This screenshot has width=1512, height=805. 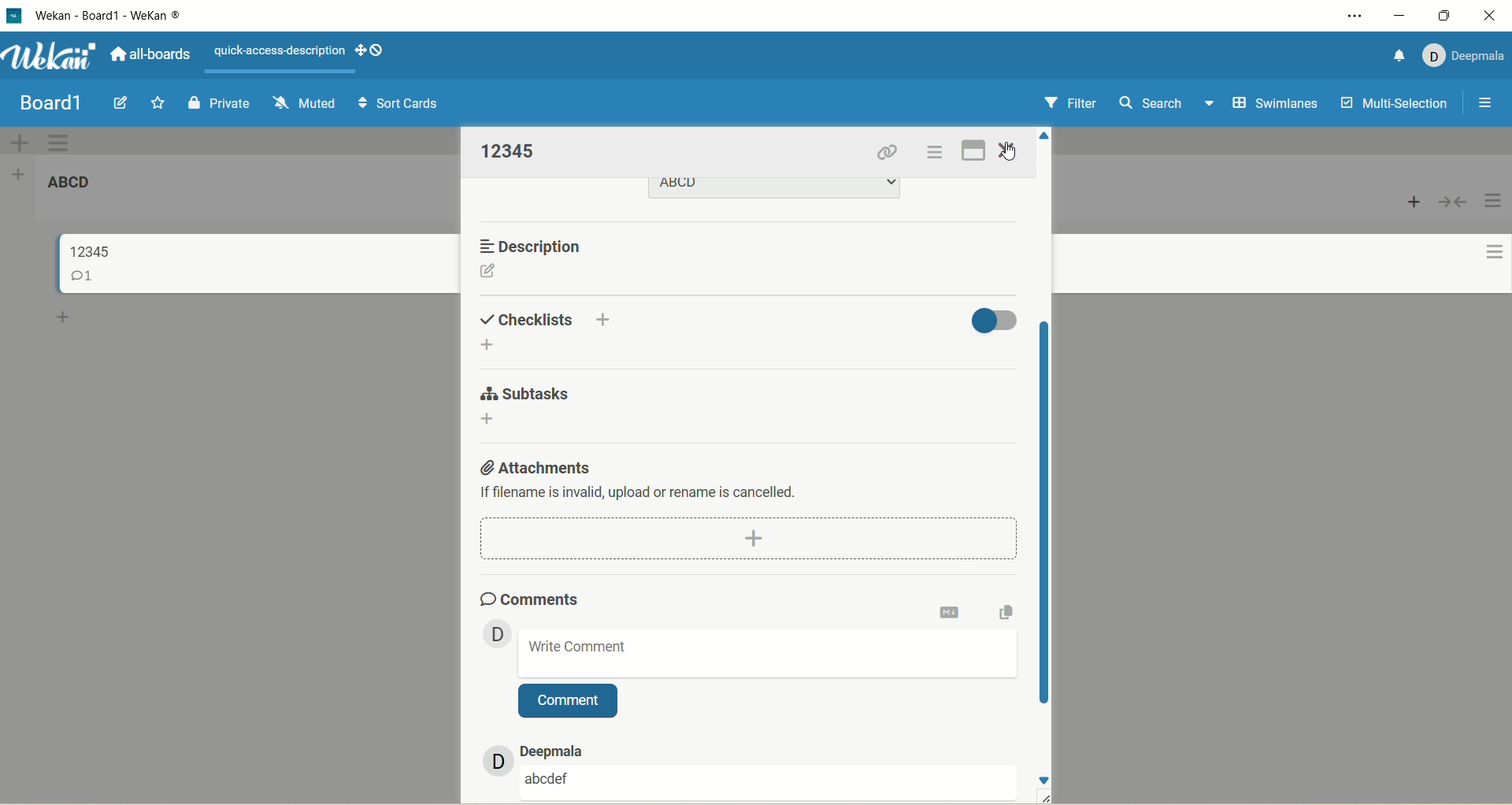 What do you see at coordinates (492, 632) in the screenshot?
I see `member` at bounding box center [492, 632].